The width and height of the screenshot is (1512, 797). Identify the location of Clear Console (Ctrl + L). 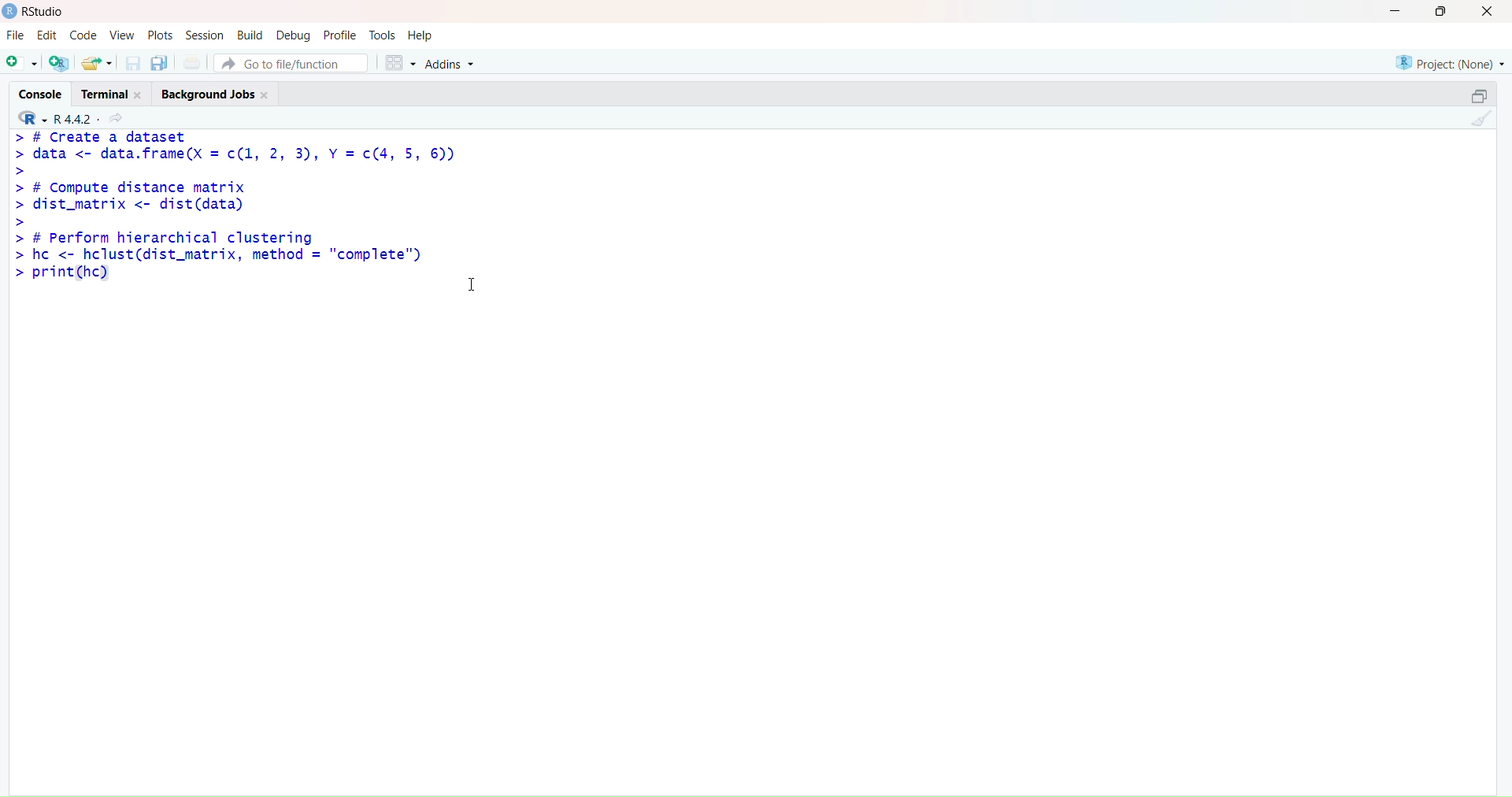
(1480, 119).